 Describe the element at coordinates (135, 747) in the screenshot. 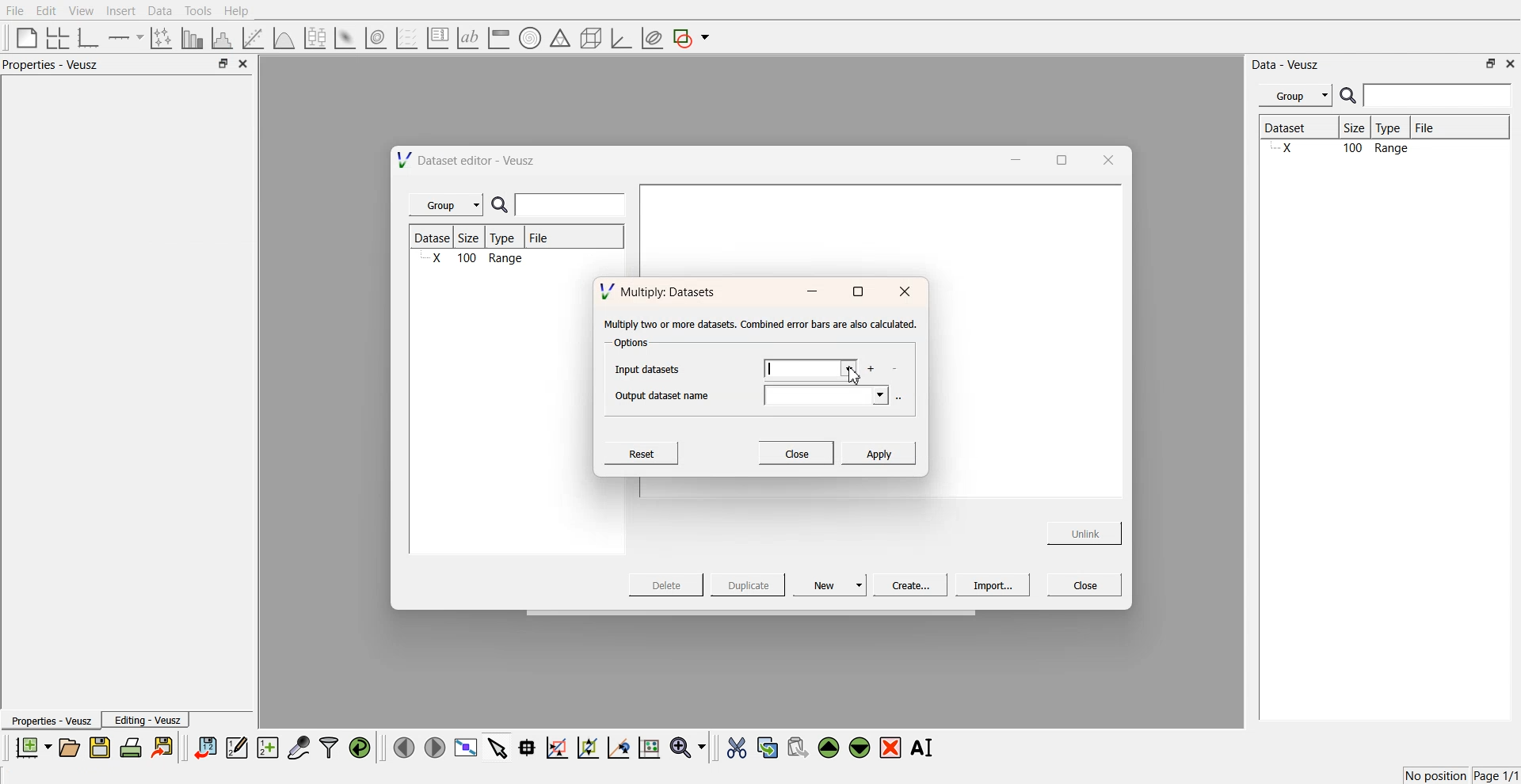

I see `print` at that location.